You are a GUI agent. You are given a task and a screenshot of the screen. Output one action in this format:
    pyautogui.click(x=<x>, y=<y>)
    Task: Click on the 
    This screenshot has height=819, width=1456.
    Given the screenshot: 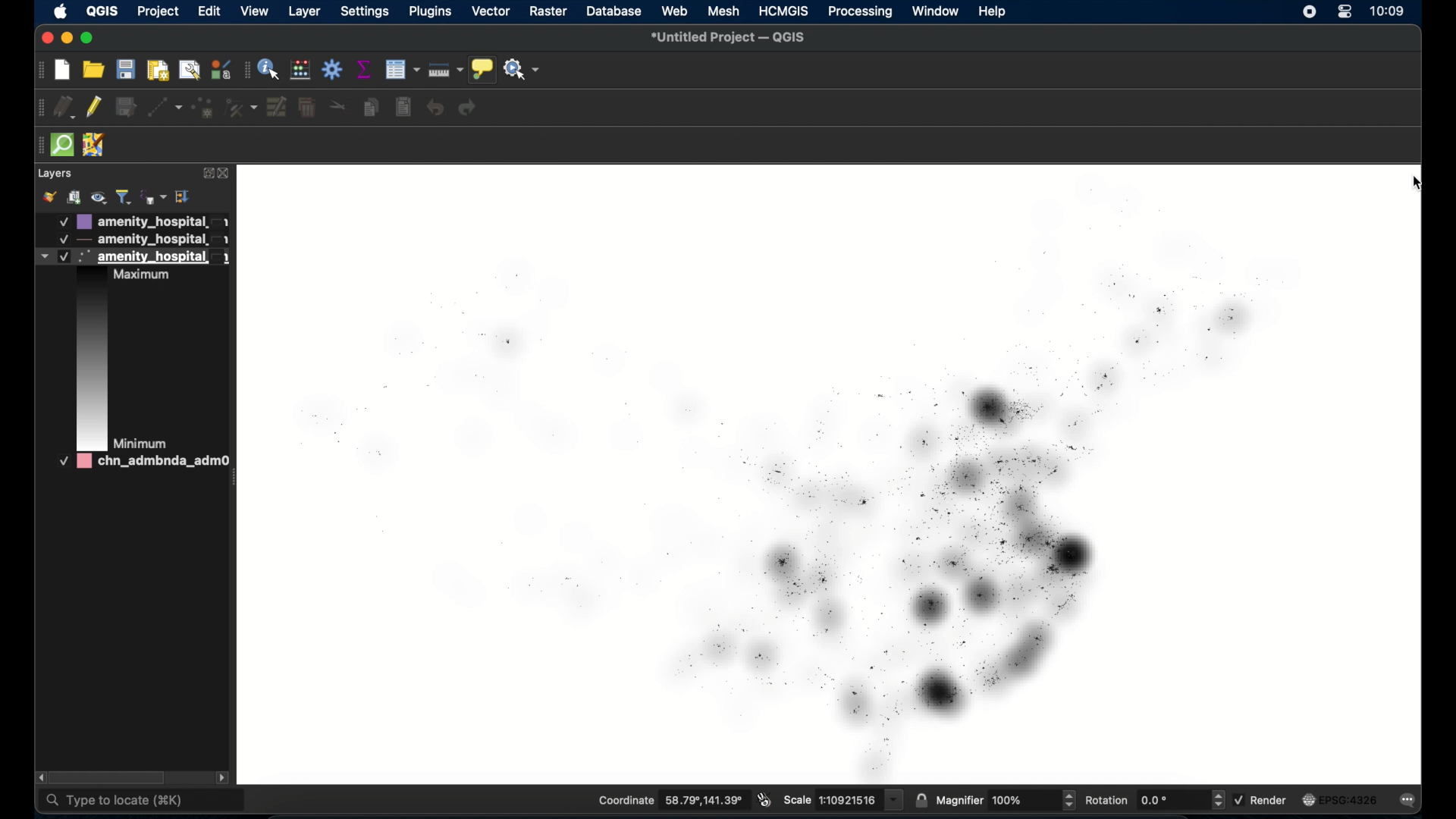 What is the action you would take?
    pyautogui.click(x=108, y=777)
    